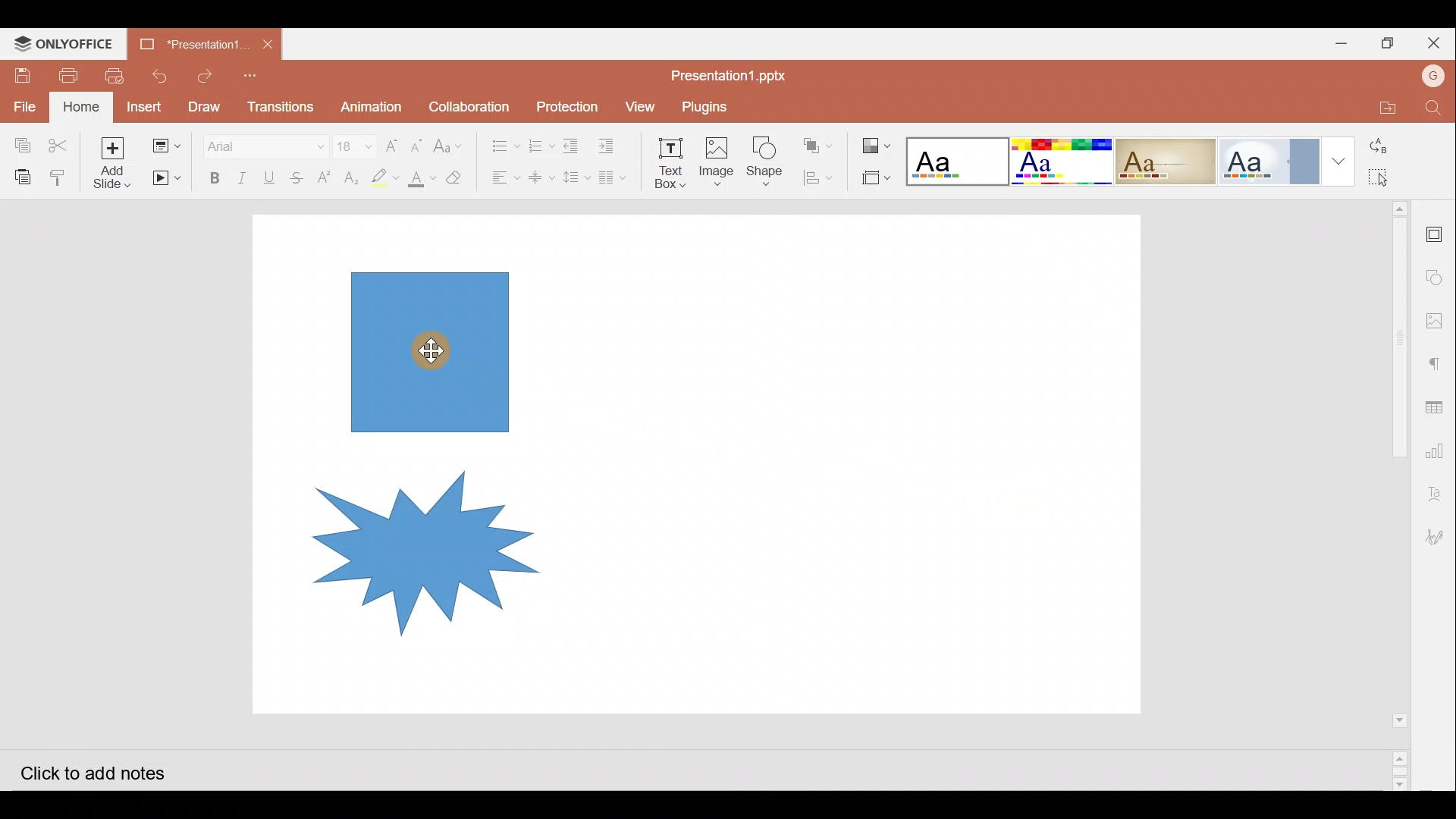 The image size is (1456, 819). I want to click on Increase font size, so click(390, 141).